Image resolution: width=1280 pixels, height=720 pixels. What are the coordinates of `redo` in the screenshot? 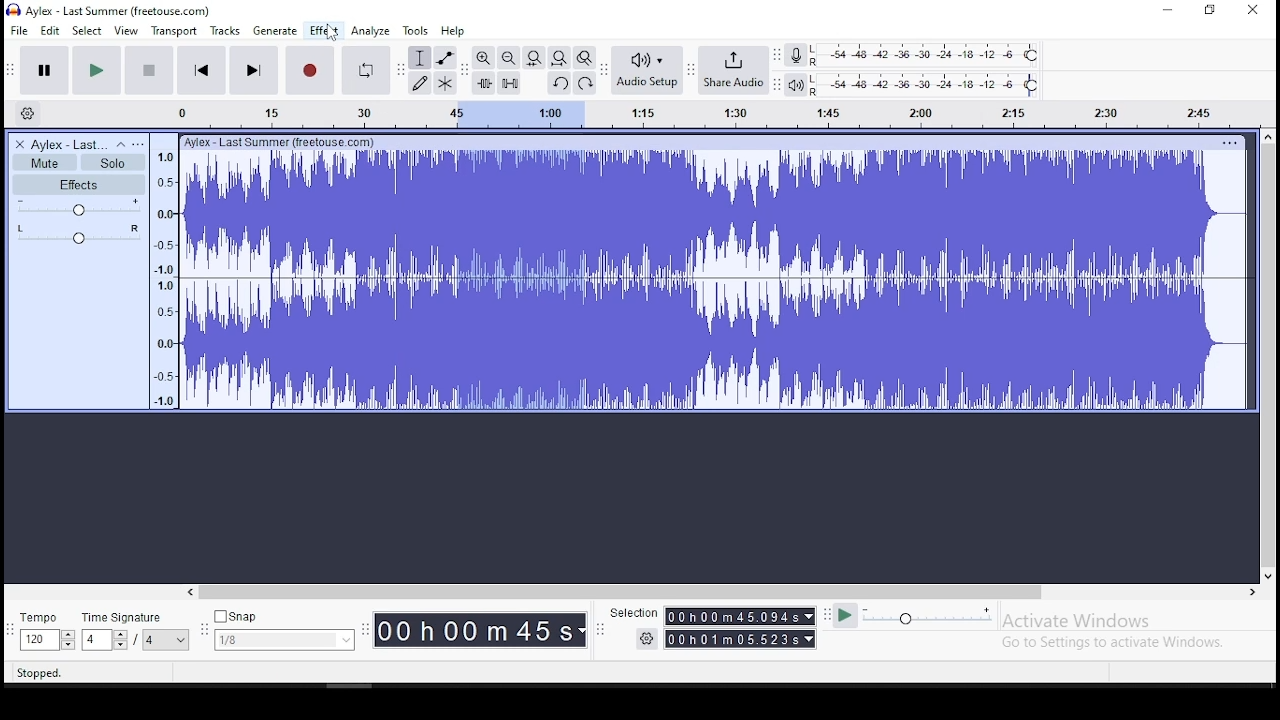 It's located at (586, 82).